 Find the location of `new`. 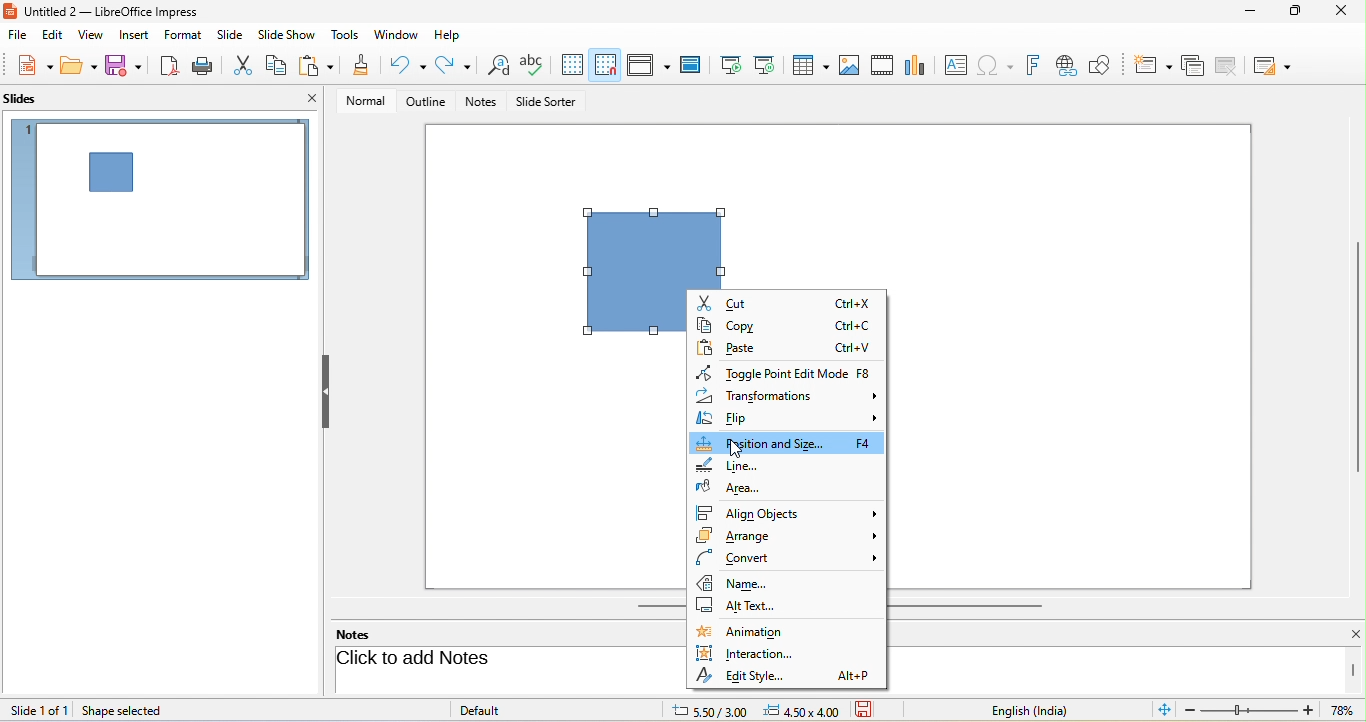

new is located at coordinates (28, 67).